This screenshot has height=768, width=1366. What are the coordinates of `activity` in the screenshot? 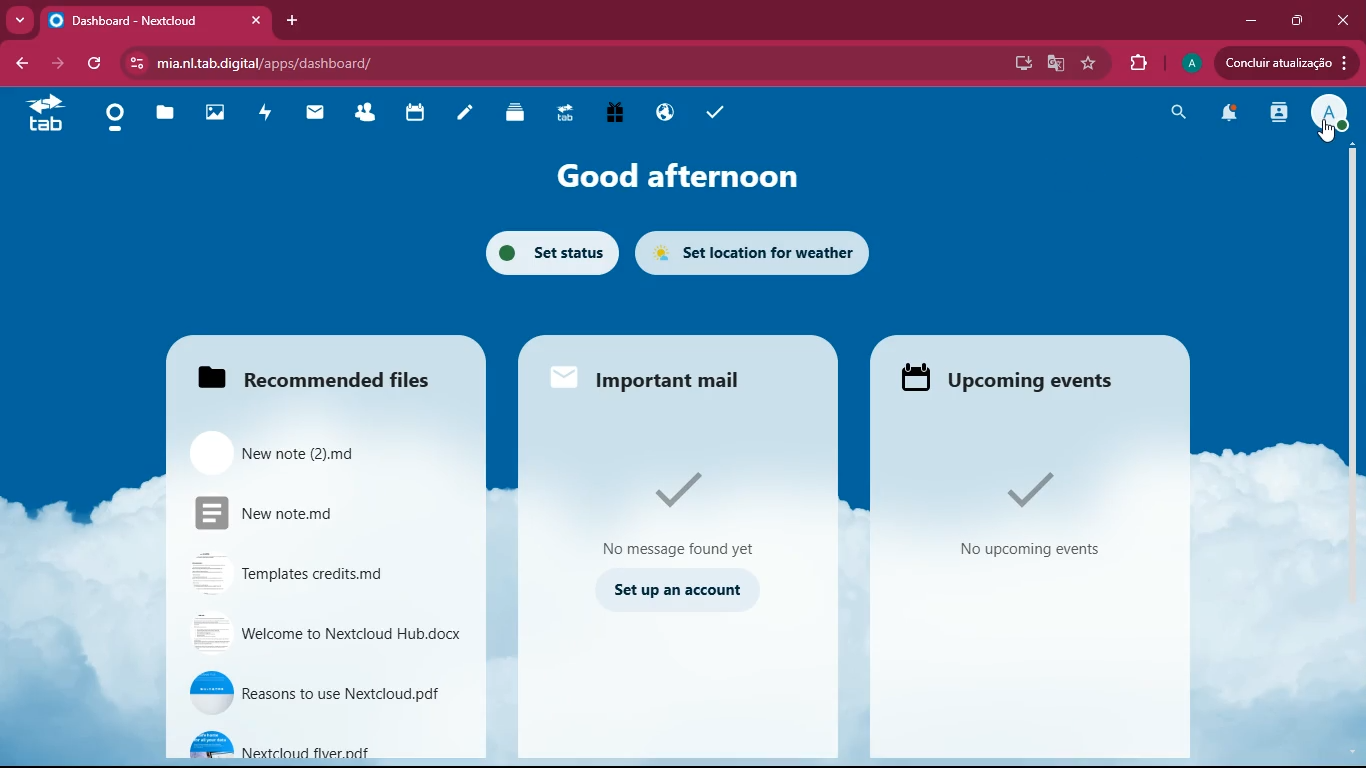 It's located at (1279, 114).